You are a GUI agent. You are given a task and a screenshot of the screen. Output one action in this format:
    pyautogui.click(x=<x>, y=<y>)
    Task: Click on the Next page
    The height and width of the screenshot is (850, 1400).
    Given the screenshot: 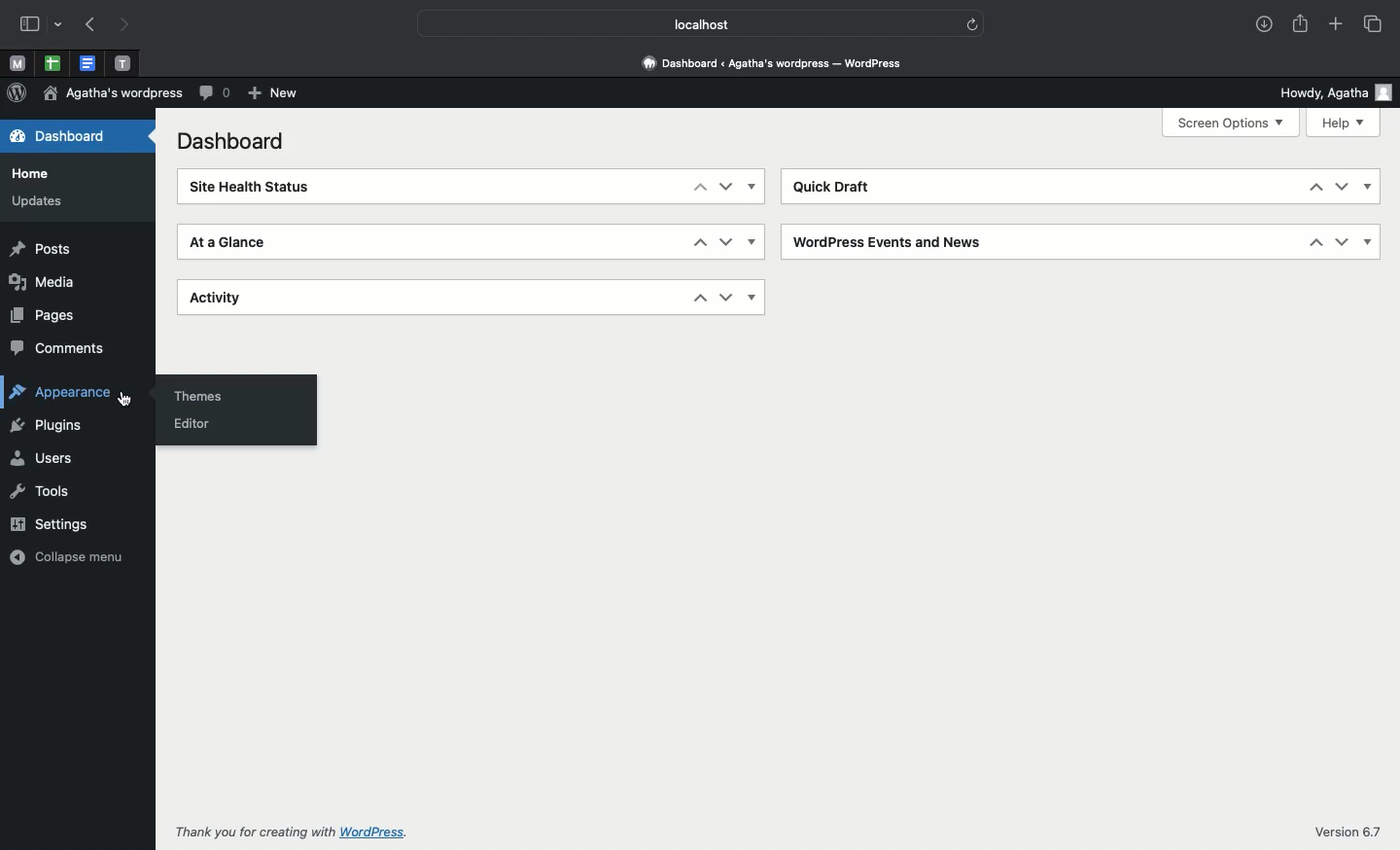 What is the action you would take?
    pyautogui.click(x=124, y=25)
    